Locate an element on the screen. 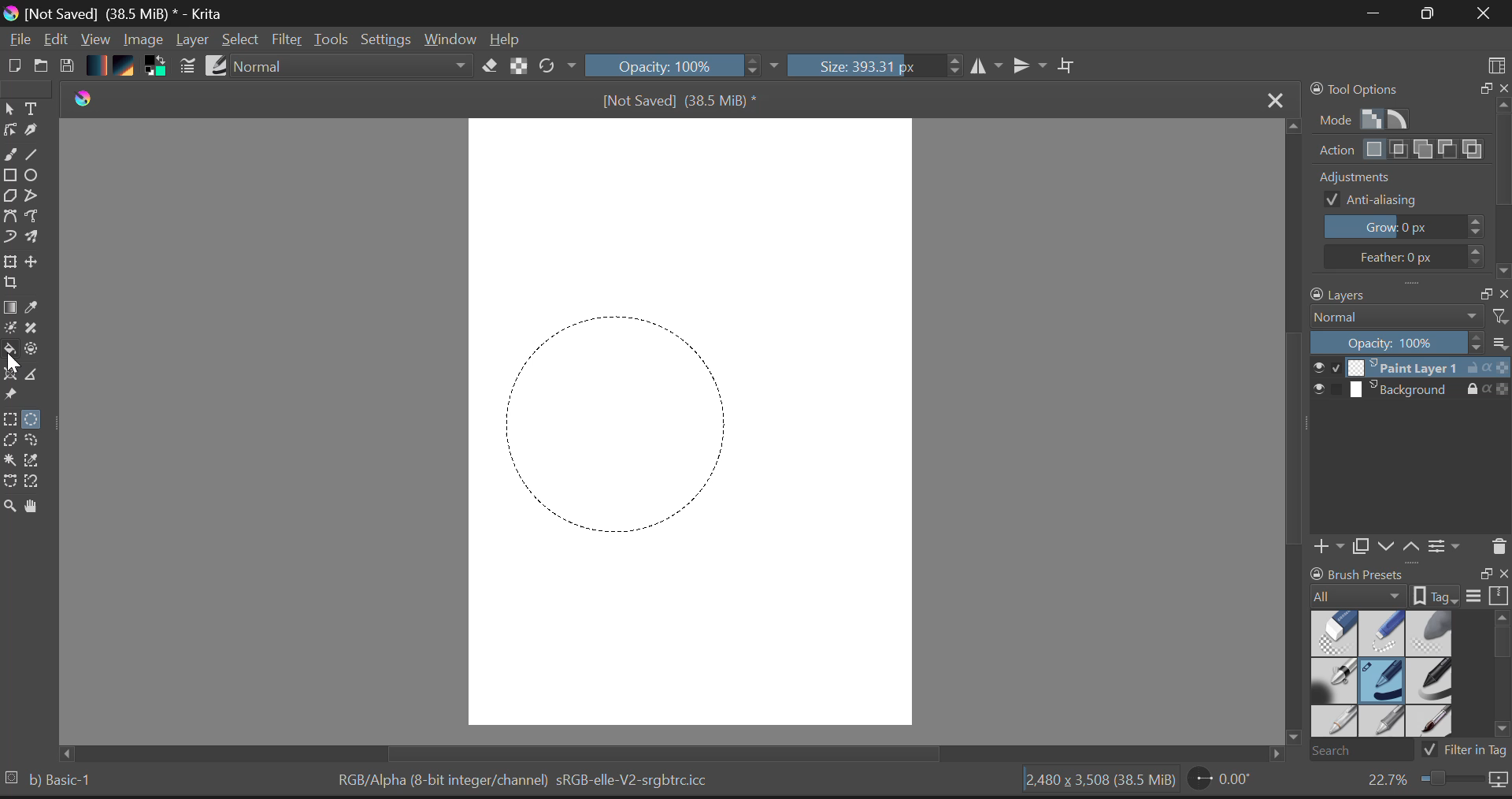 The height and width of the screenshot is (799, 1512). Lock Alpha is located at coordinates (516, 67).